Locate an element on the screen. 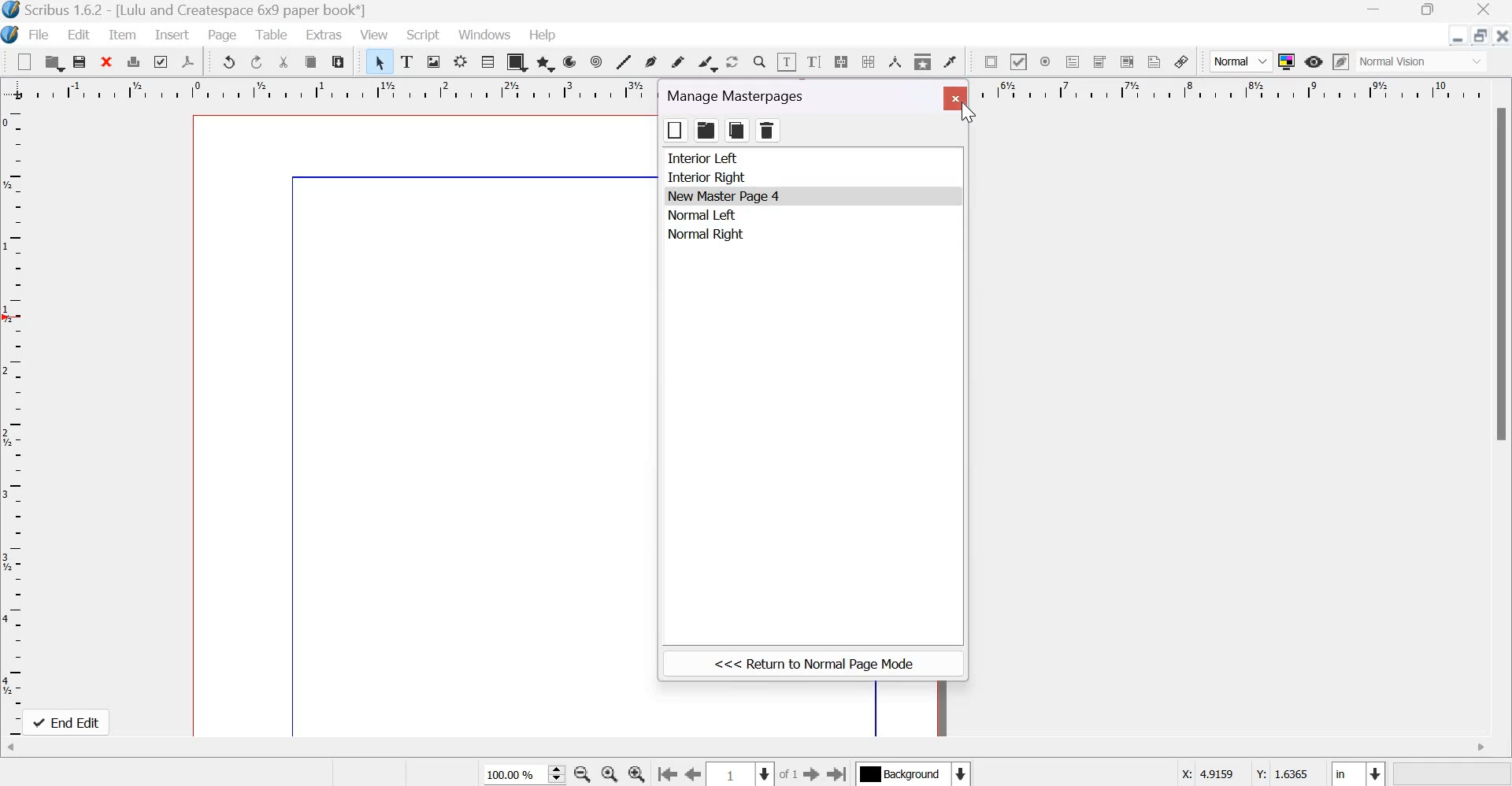 The height and width of the screenshot is (786, 1512). print is located at coordinates (133, 61).